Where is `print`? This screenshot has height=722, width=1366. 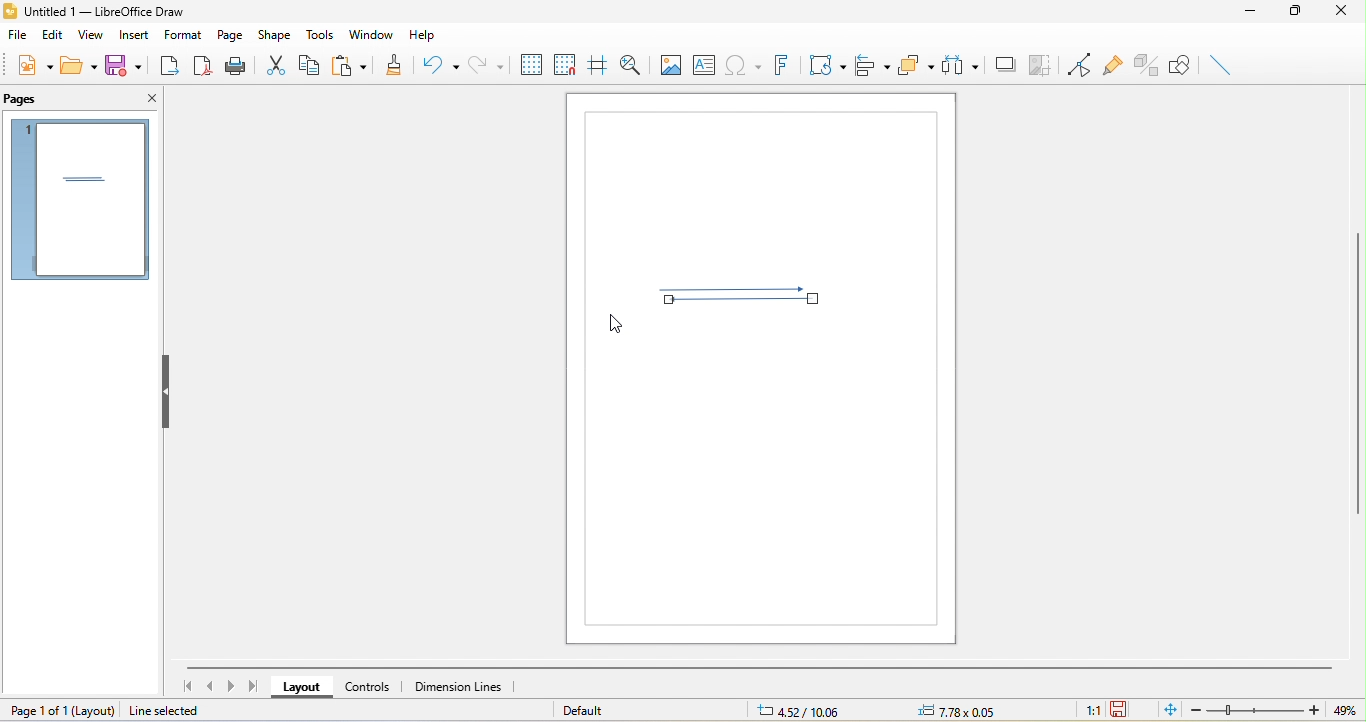 print is located at coordinates (238, 68).